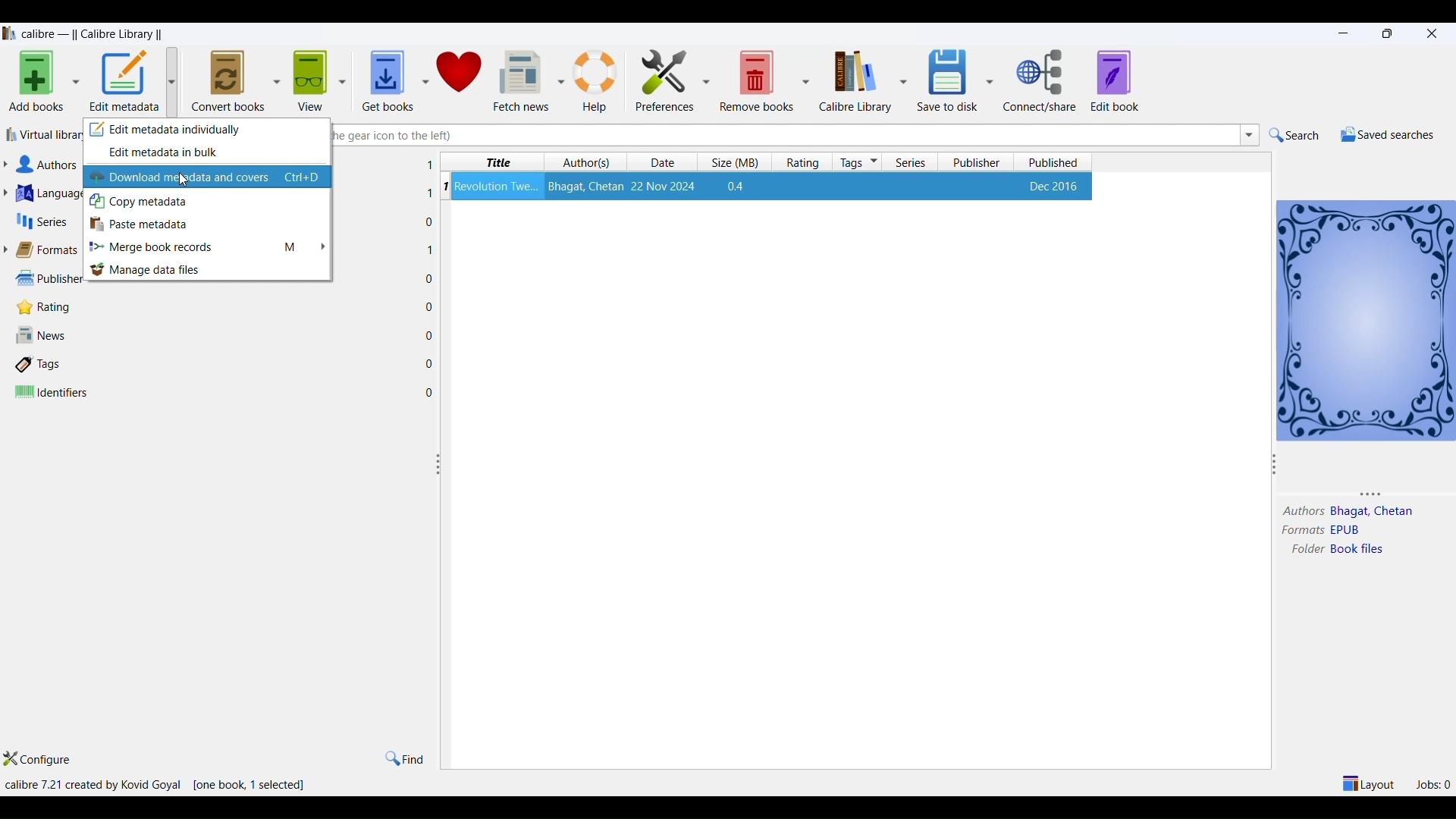 The image size is (1456, 819). What do you see at coordinates (431, 221) in the screenshot?
I see `0` at bounding box center [431, 221].